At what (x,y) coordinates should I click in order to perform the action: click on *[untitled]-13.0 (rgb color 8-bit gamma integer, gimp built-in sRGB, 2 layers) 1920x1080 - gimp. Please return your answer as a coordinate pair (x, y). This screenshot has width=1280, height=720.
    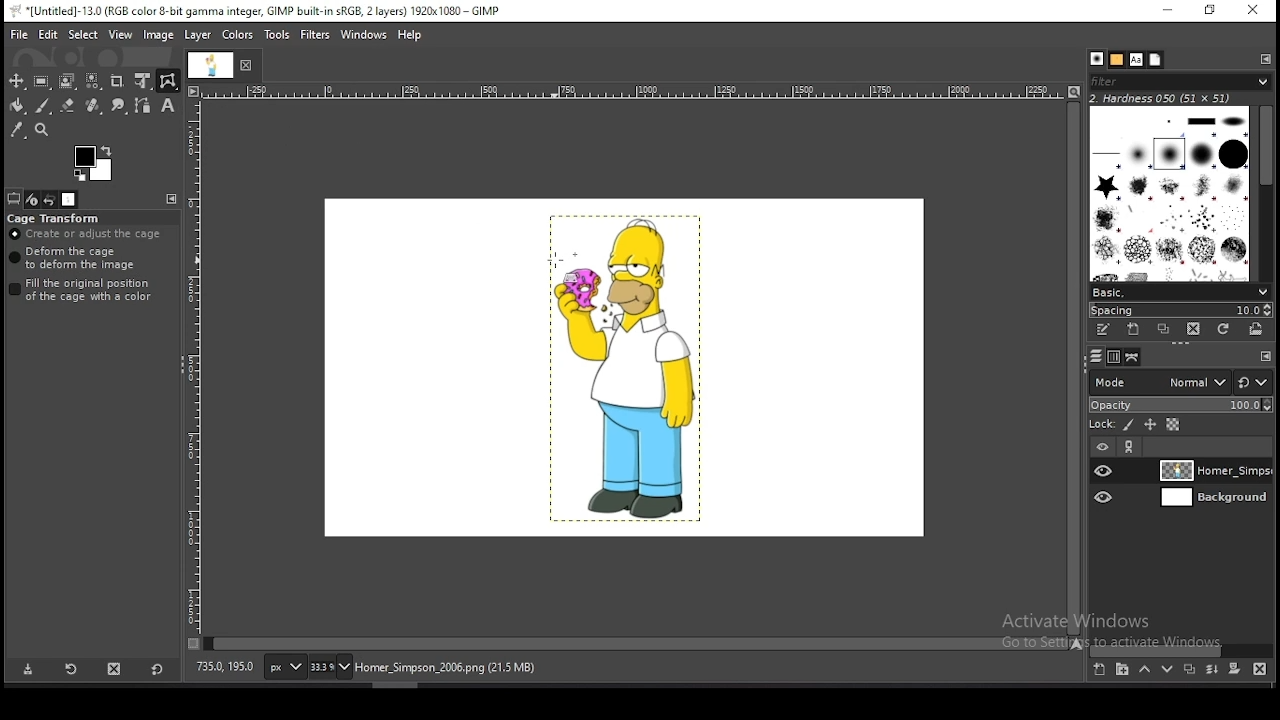
    Looking at the image, I should click on (261, 11).